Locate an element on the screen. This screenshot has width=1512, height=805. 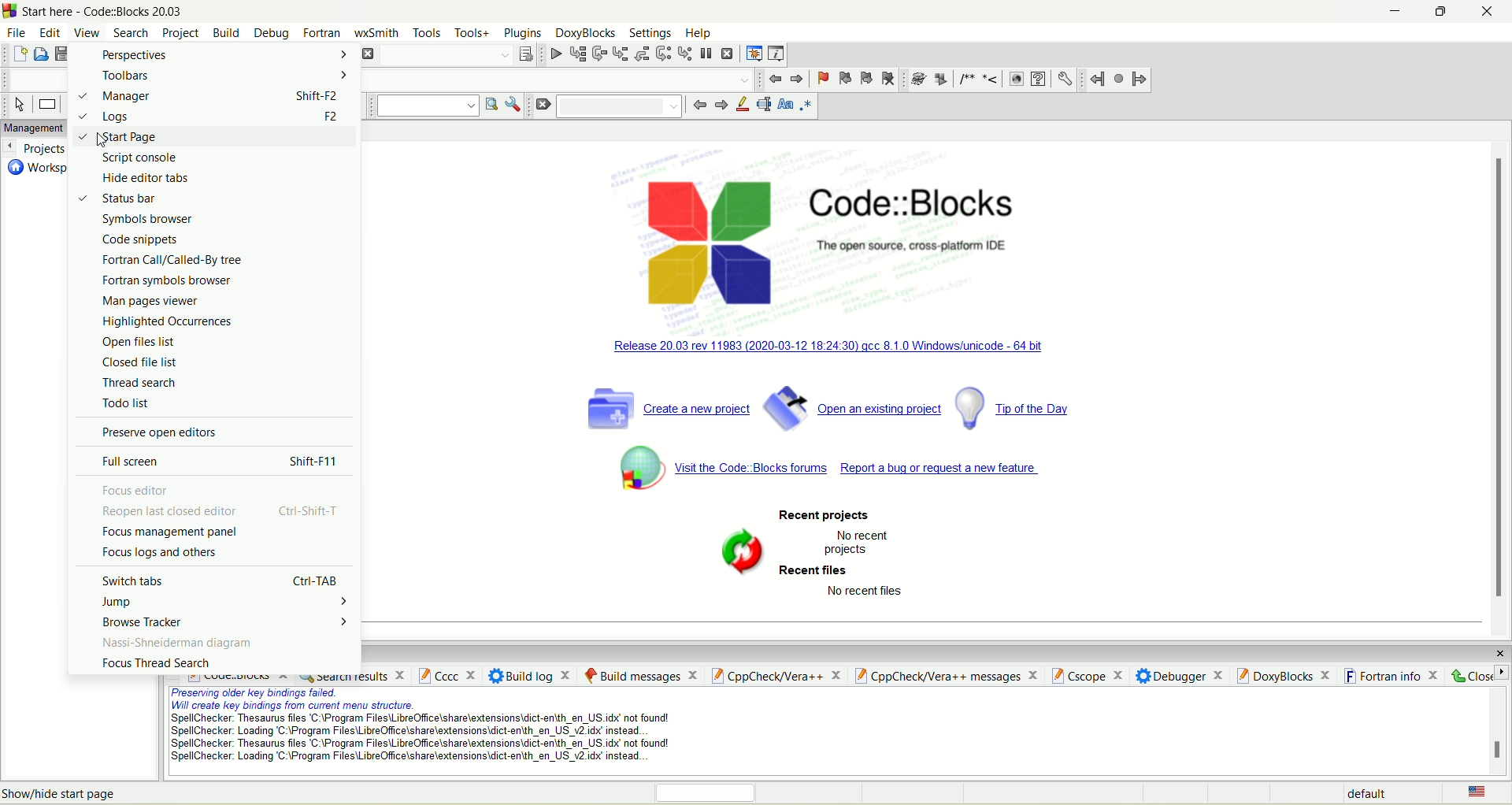
jump back is located at coordinates (775, 79).